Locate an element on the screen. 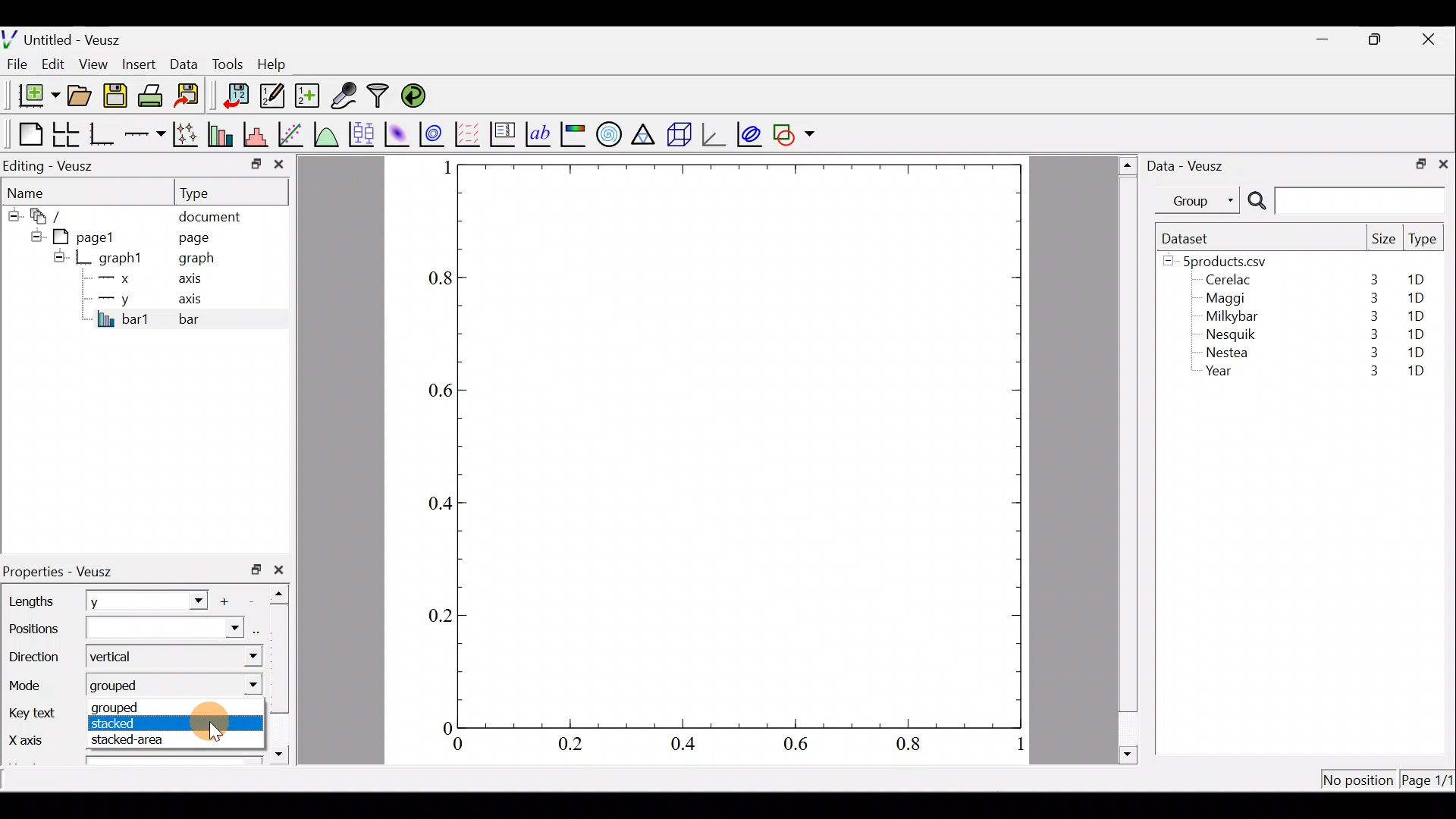 The height and width of the screenshot is (819, 1456). 3d scene is located at coordinates (678, 134).